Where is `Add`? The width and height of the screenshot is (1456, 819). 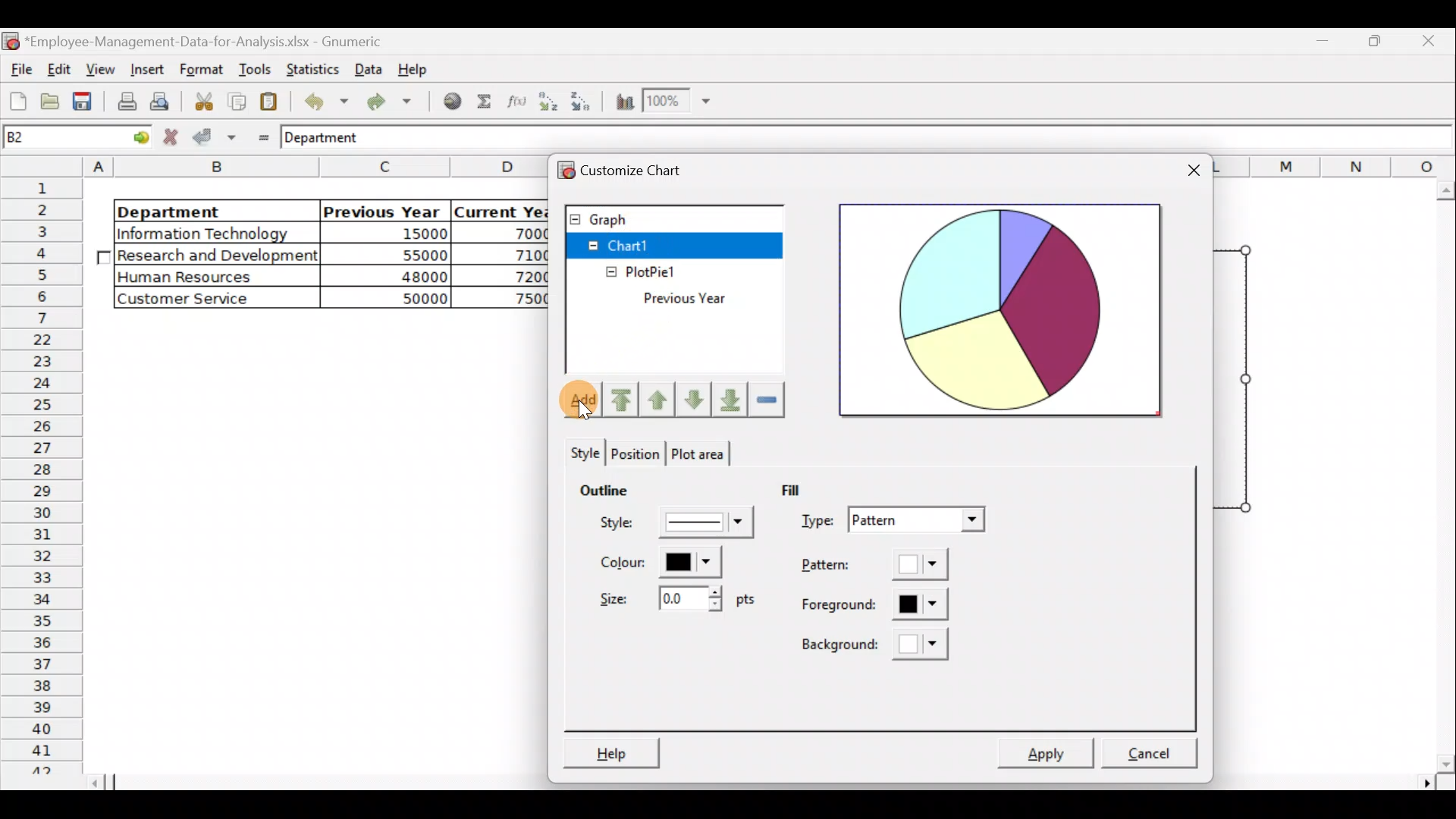
Add is located at coordinates (578, 401).